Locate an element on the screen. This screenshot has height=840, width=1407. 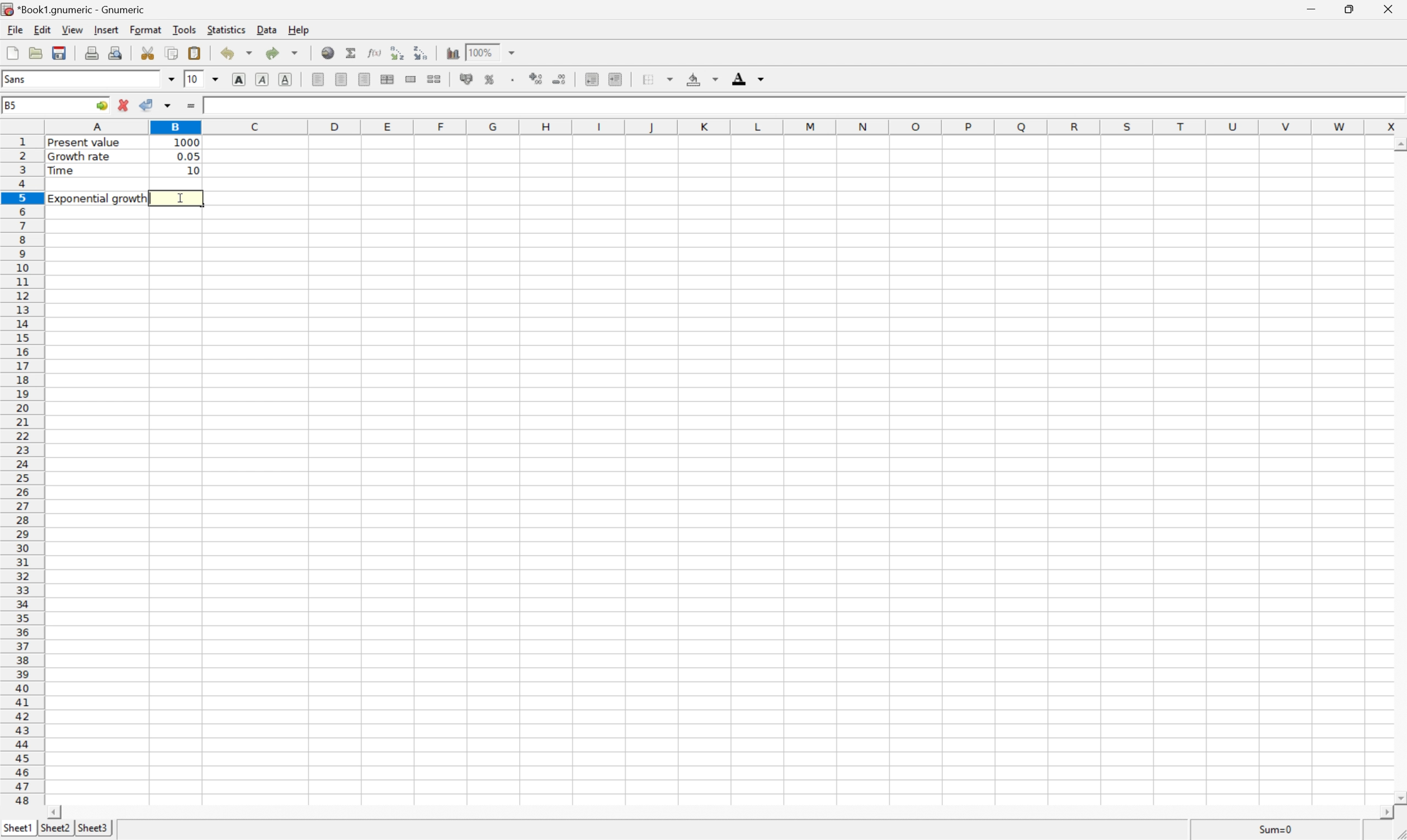
Edit is located at coordinates (43, 29).